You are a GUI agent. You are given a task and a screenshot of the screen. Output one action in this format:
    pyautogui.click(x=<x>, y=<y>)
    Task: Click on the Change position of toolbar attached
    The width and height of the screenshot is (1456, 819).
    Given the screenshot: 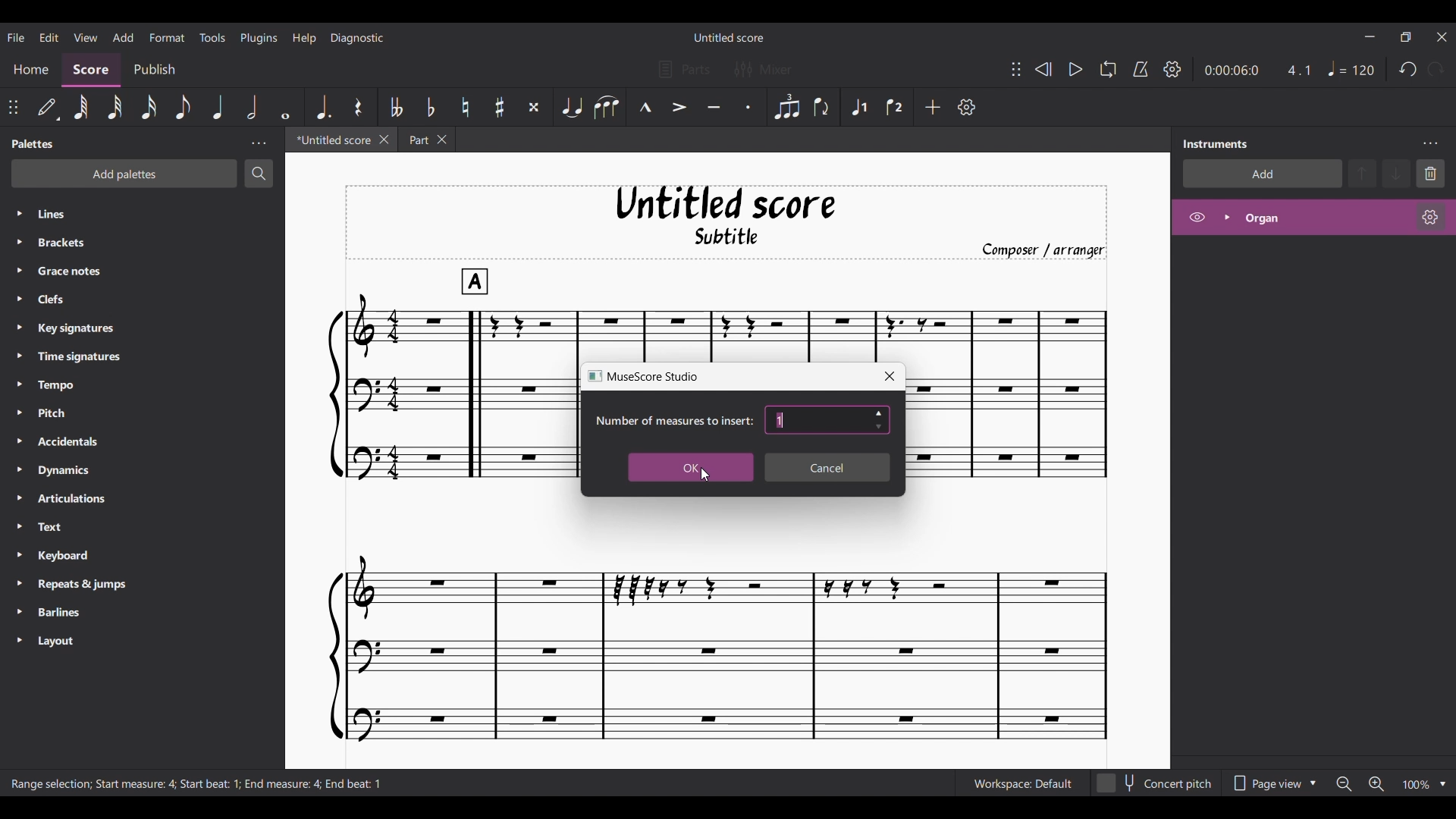 What is the action you would take?
    pyautogui.click(x=13, y=107)
    